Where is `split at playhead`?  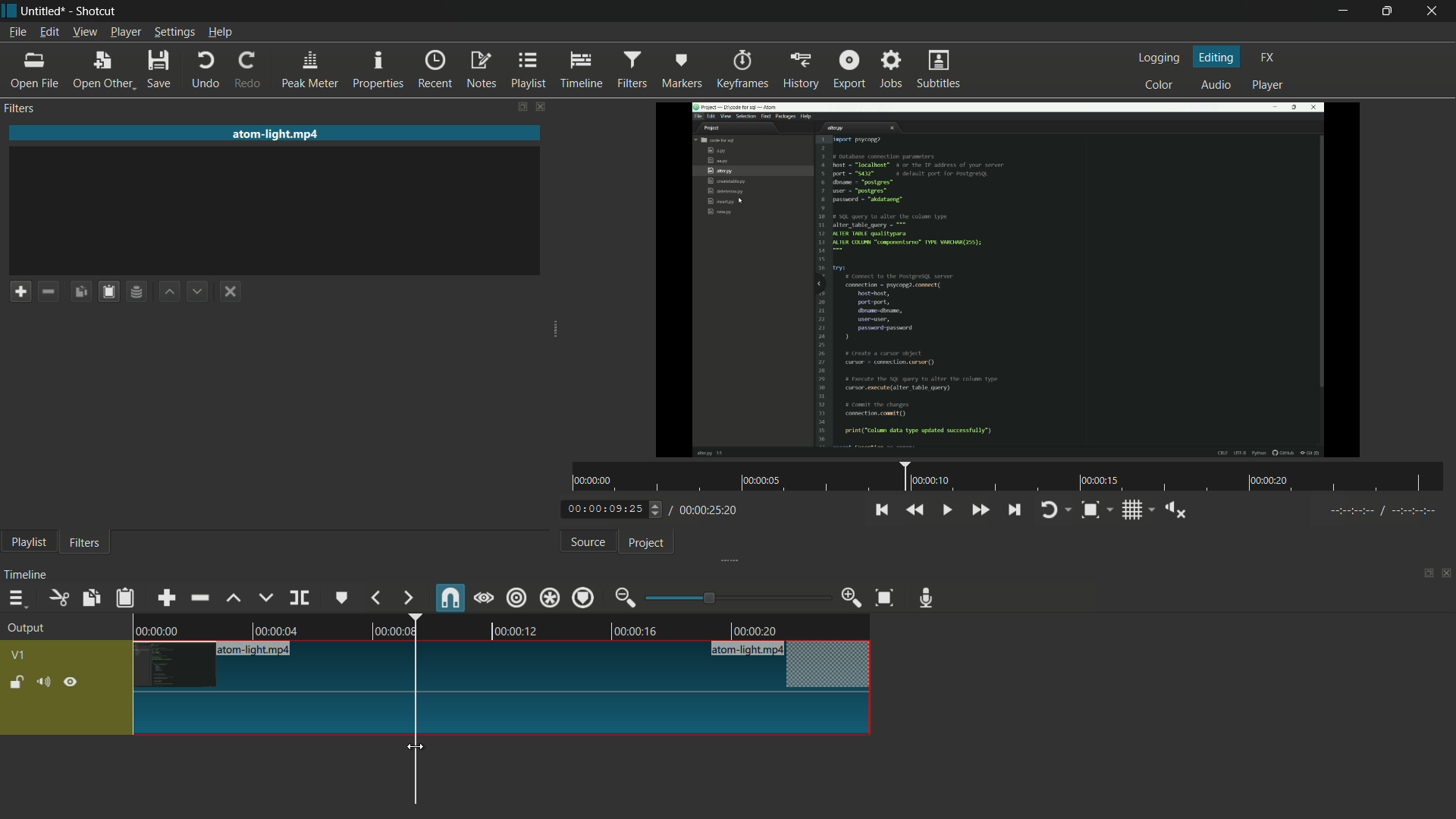 split at playhead is located at coordinates (300, 598).